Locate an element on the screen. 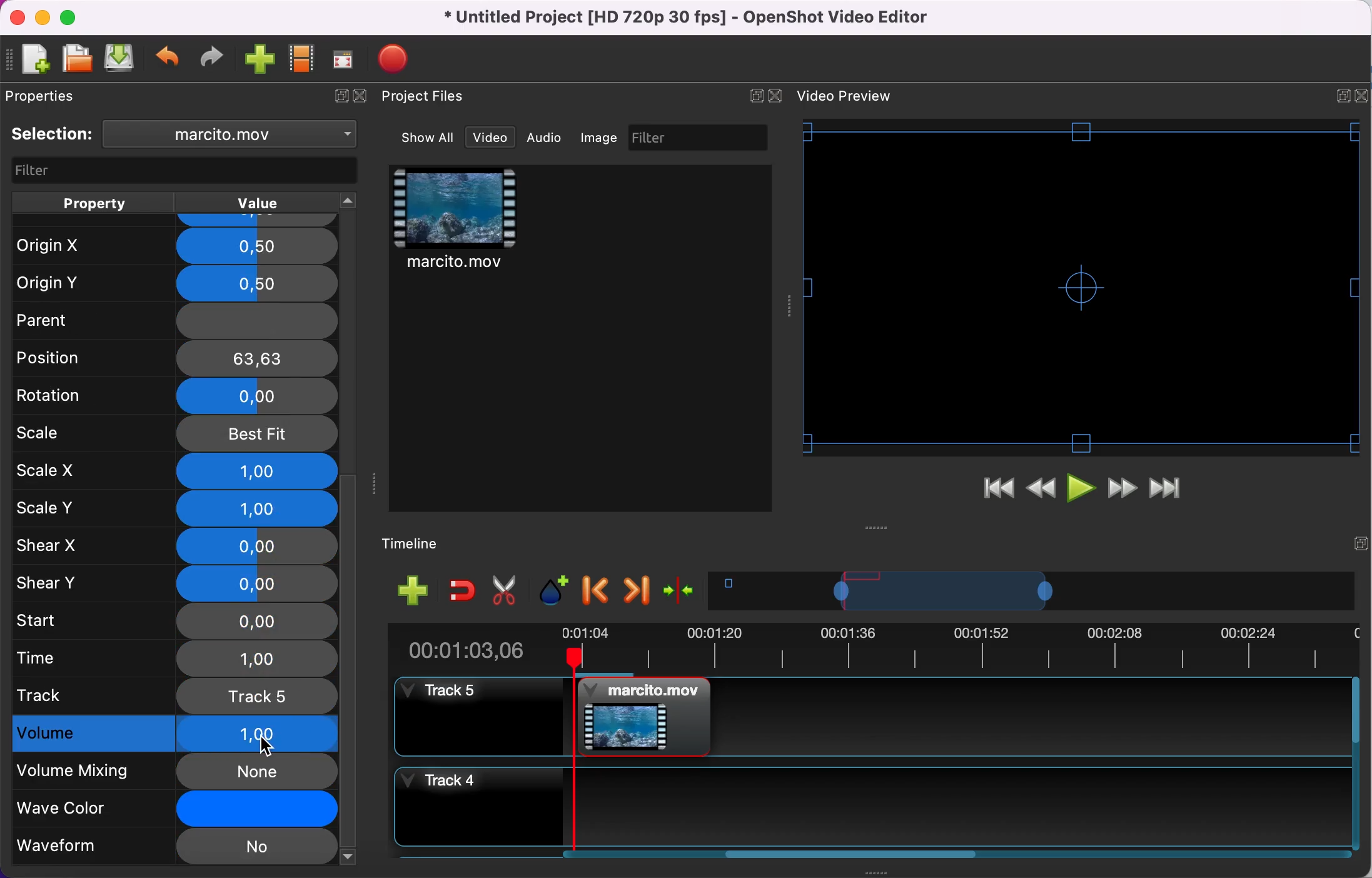 The width and height of the screenshot is (1372, 878). Expand/Collapse is located at coordinates (1361, 543).